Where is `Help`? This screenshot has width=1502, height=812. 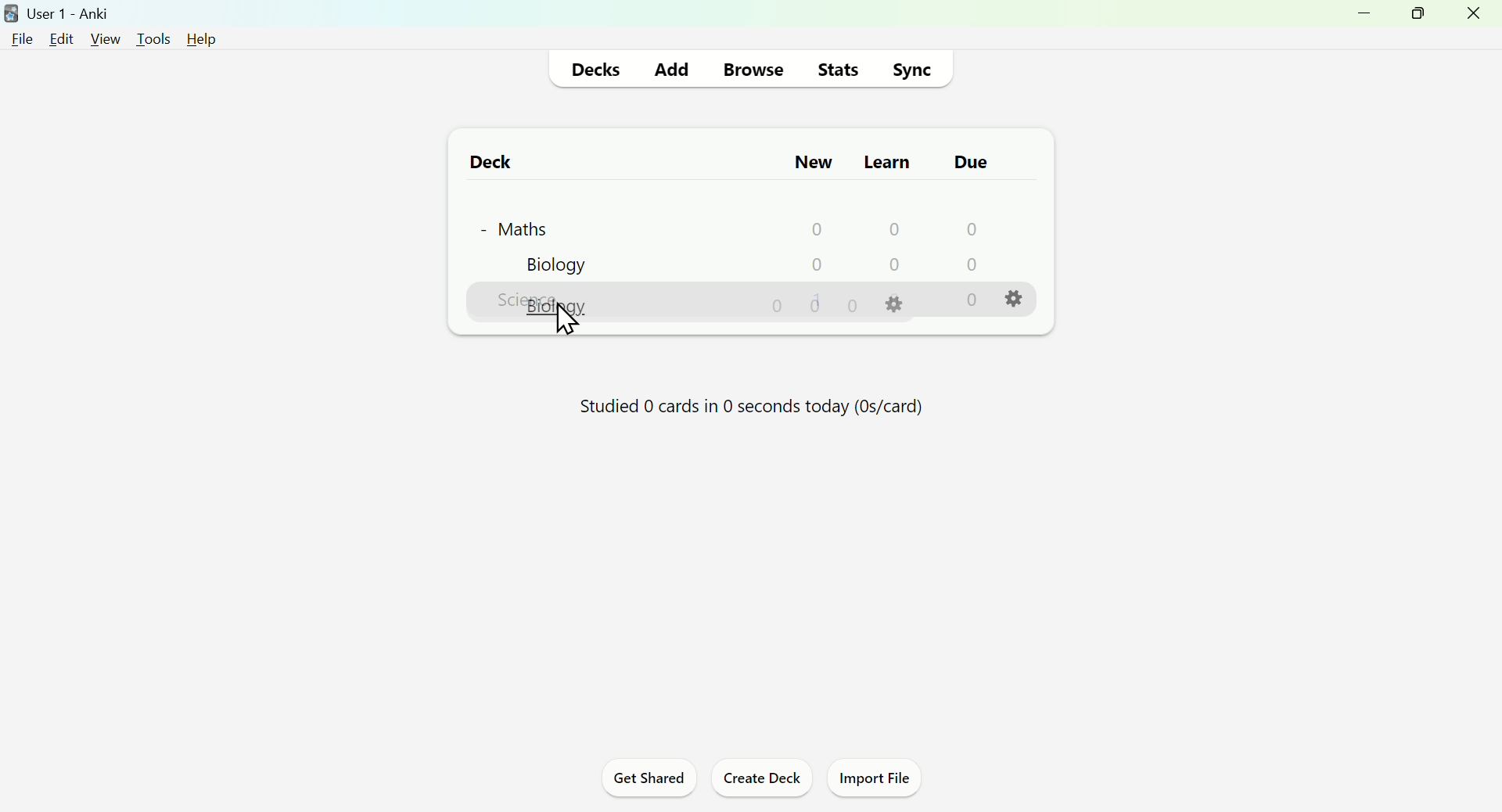 Help is located at coordinates (196, 38).